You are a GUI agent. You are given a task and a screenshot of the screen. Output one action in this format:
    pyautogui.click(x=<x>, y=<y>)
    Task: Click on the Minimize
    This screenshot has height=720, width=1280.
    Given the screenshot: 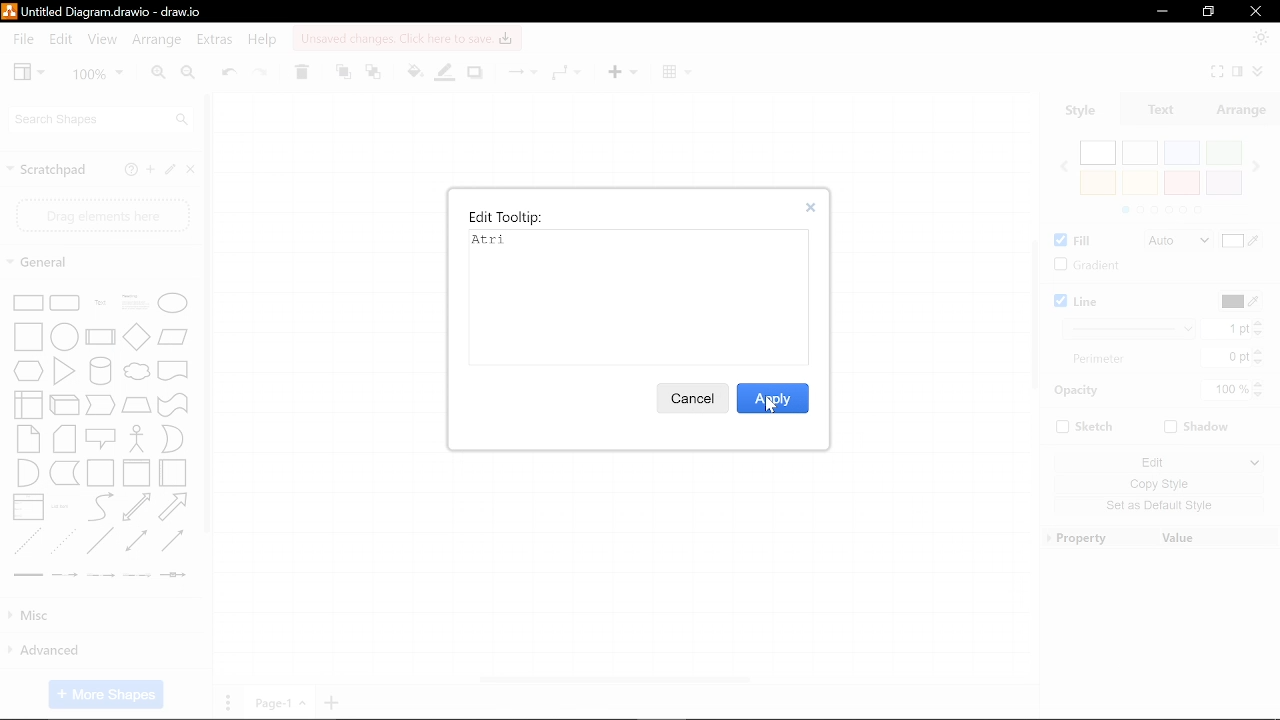 What is the action you would take?
    pyautogui.click(x=1161, y=12)
    